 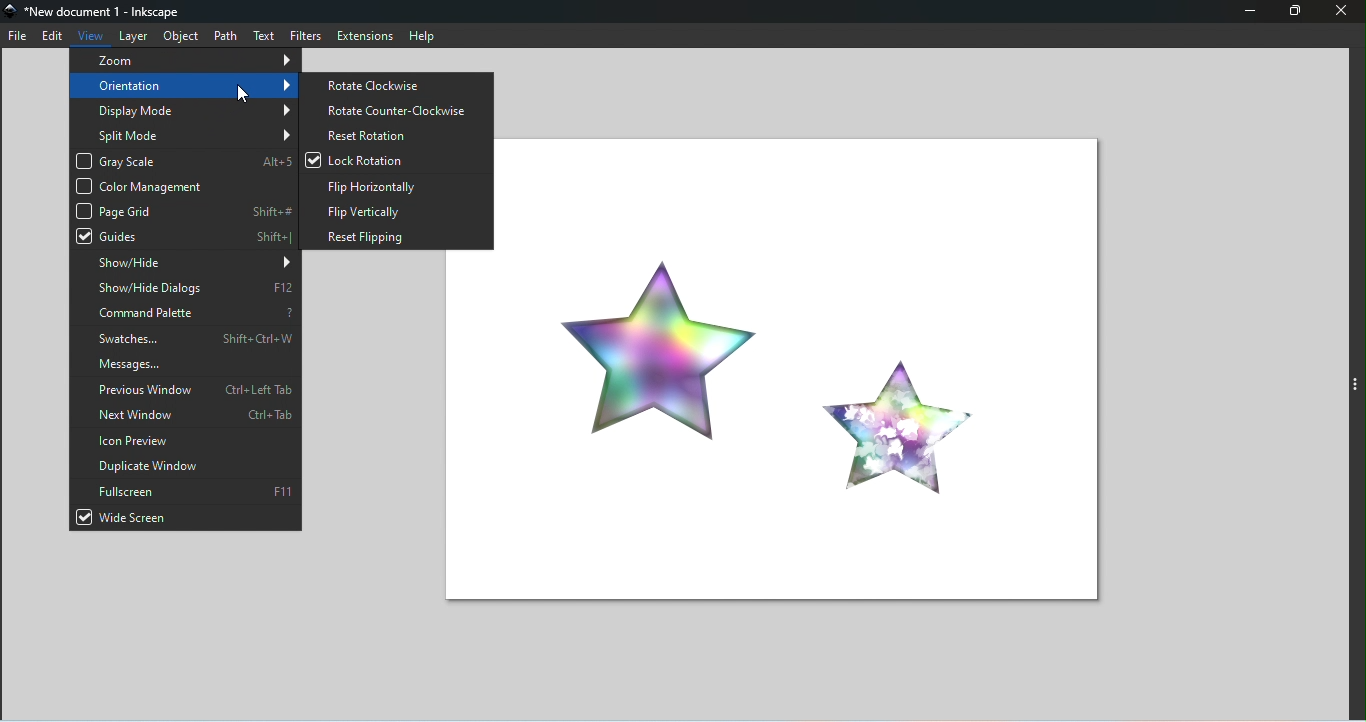 I want to click on Next window, so click(x=183, y=415).